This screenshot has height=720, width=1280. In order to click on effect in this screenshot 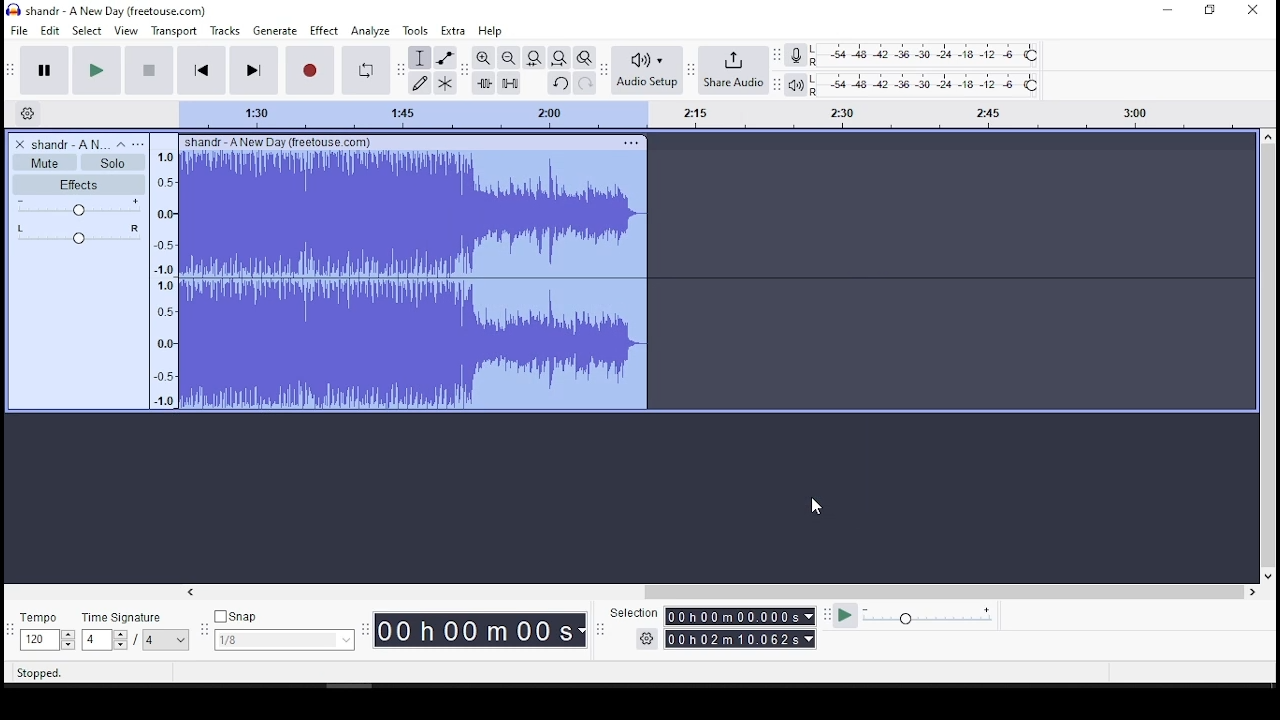, I will do `click(324, 30)`.